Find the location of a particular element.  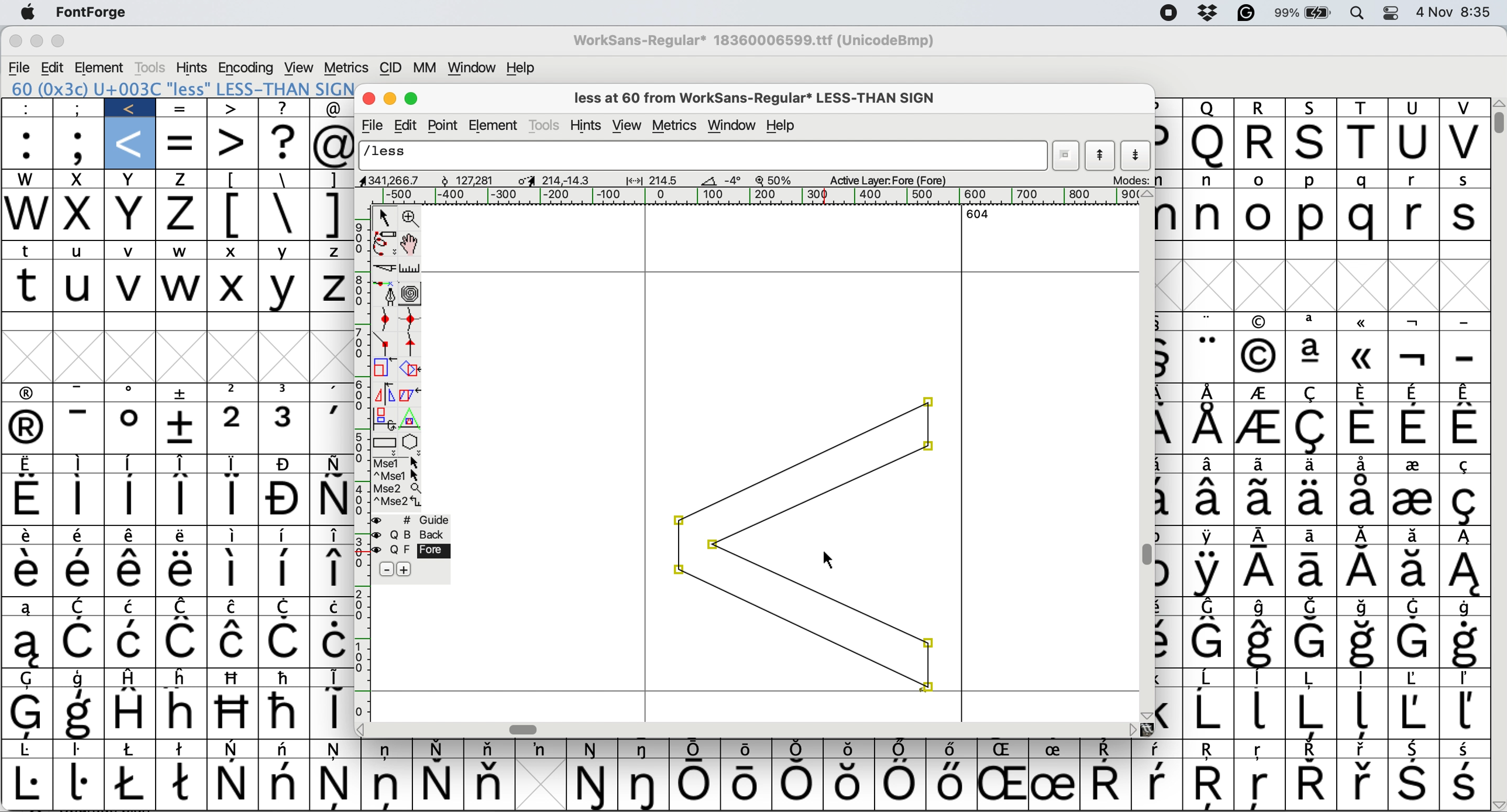

Symbol is located at coordinates (1209, 500).